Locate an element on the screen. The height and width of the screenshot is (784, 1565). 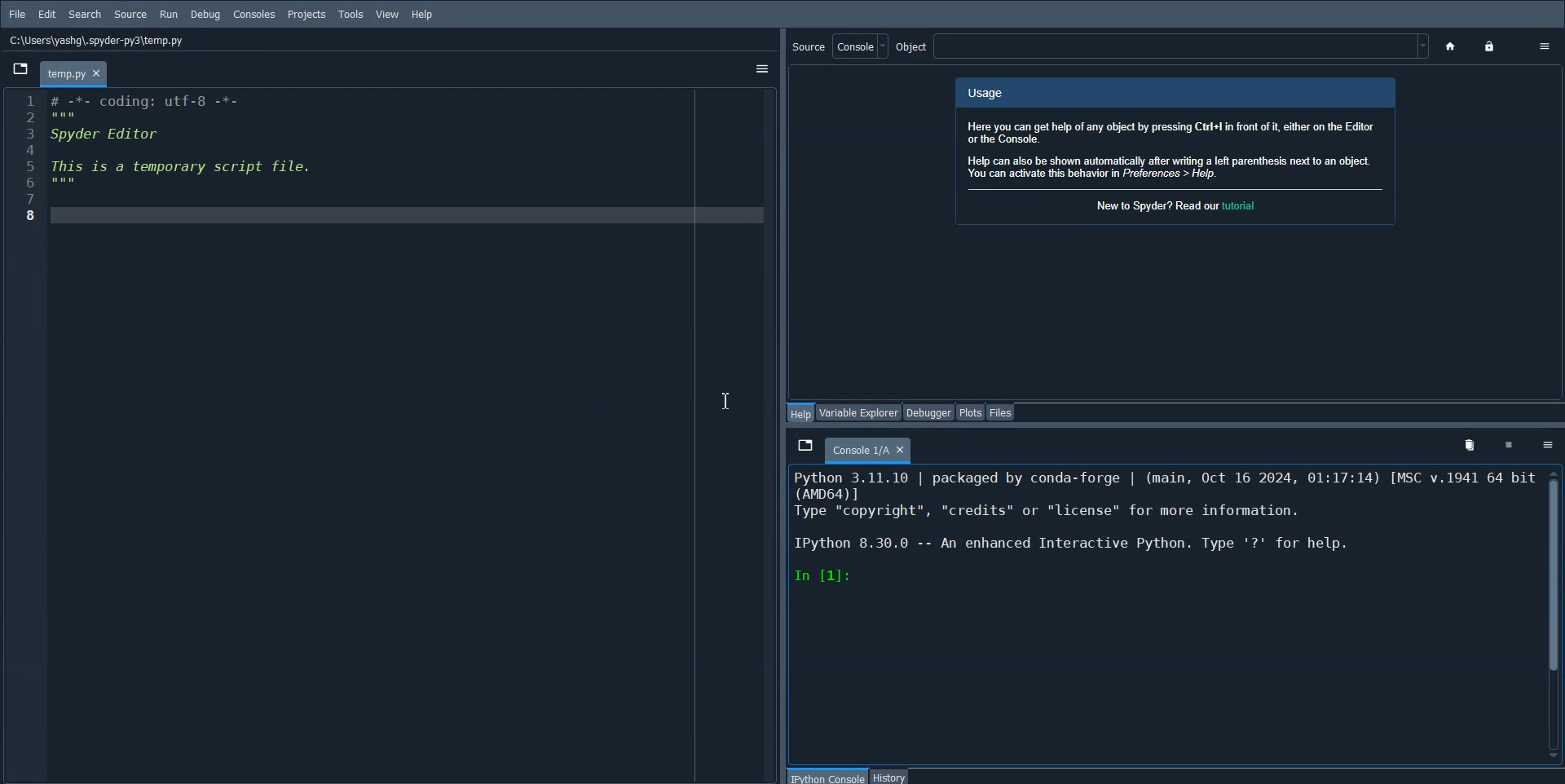
Here you can get help of any object by pressing Ctri+l infront of i, either on the Editor
or the Console.
Help can also be shown automatically after writing a left parenthesis next to an object.
You can activate this behavior in Preferences > Help.

New to Spyder? Read our tutorial is located at coordinates (1173, 157).